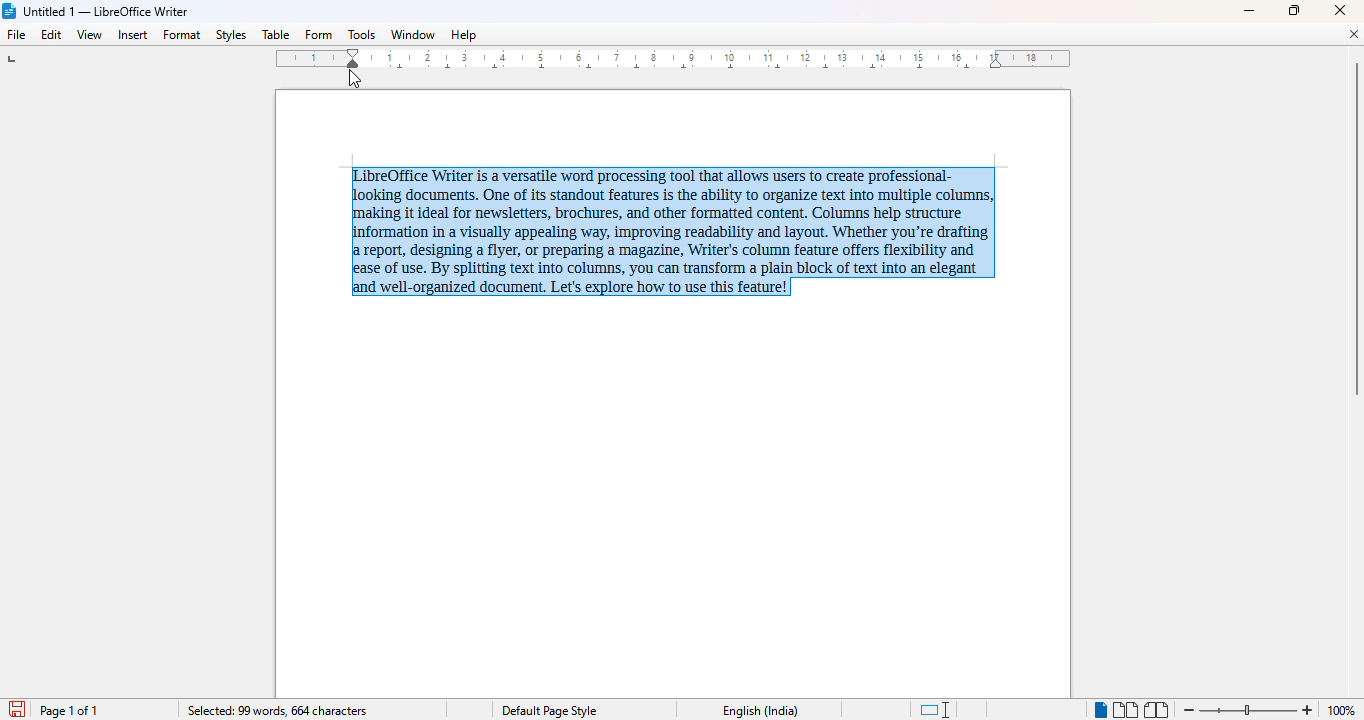  I want to click on selected: 99 words 664 characters, so click(278, 711).